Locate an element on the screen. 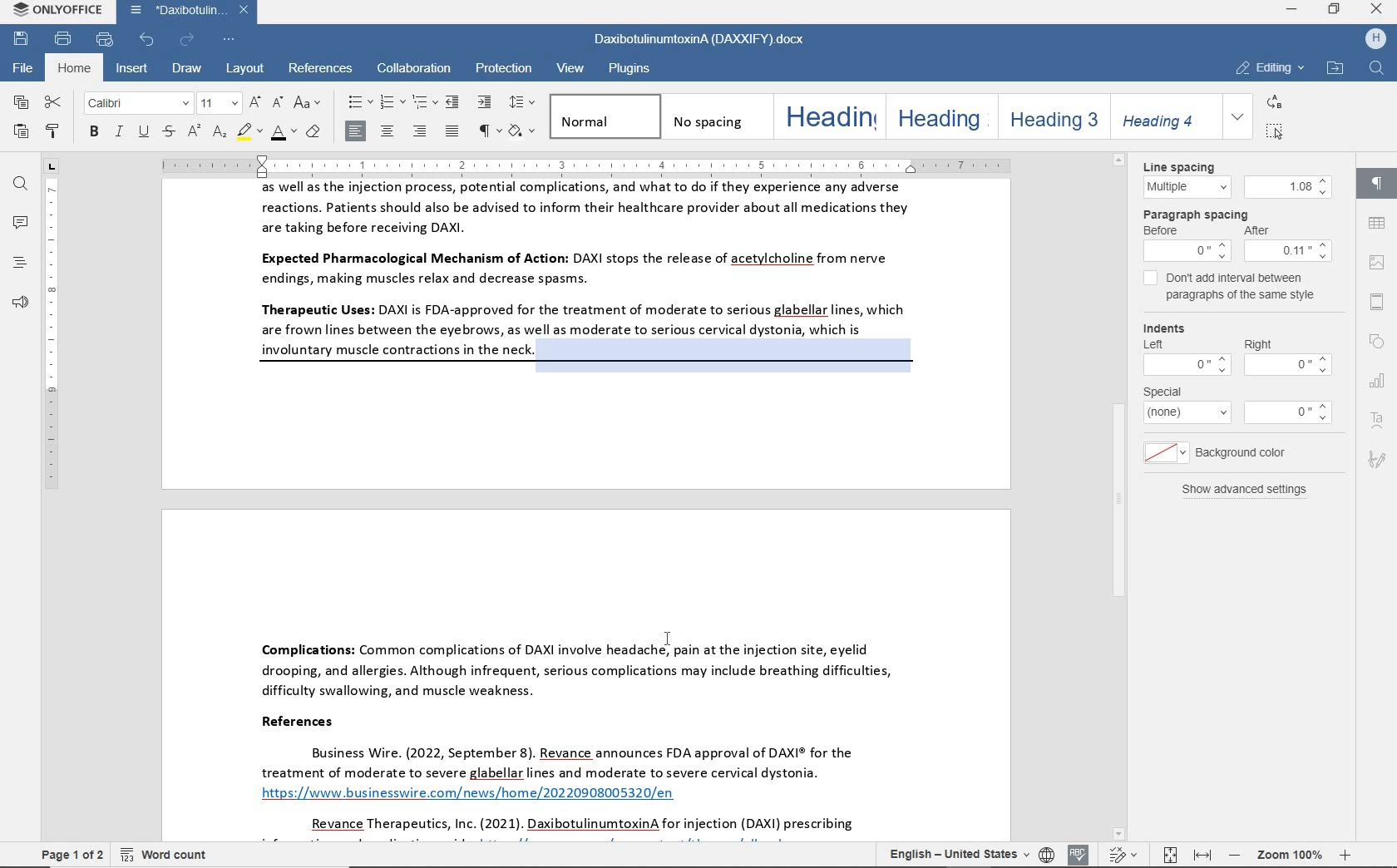  feedback & support is located at coordinates (17, 303).